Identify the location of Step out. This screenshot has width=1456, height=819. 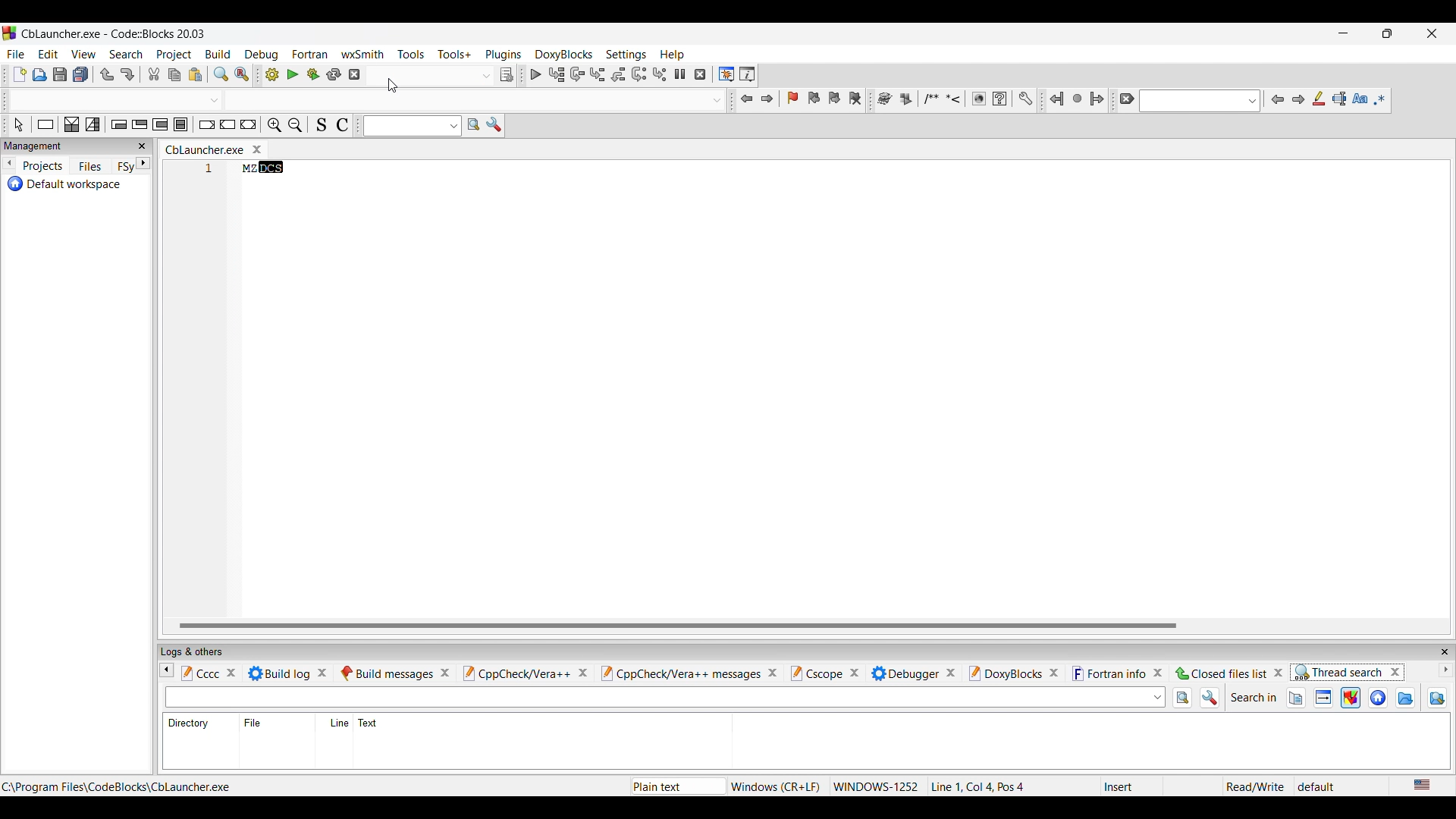
(619, 74).